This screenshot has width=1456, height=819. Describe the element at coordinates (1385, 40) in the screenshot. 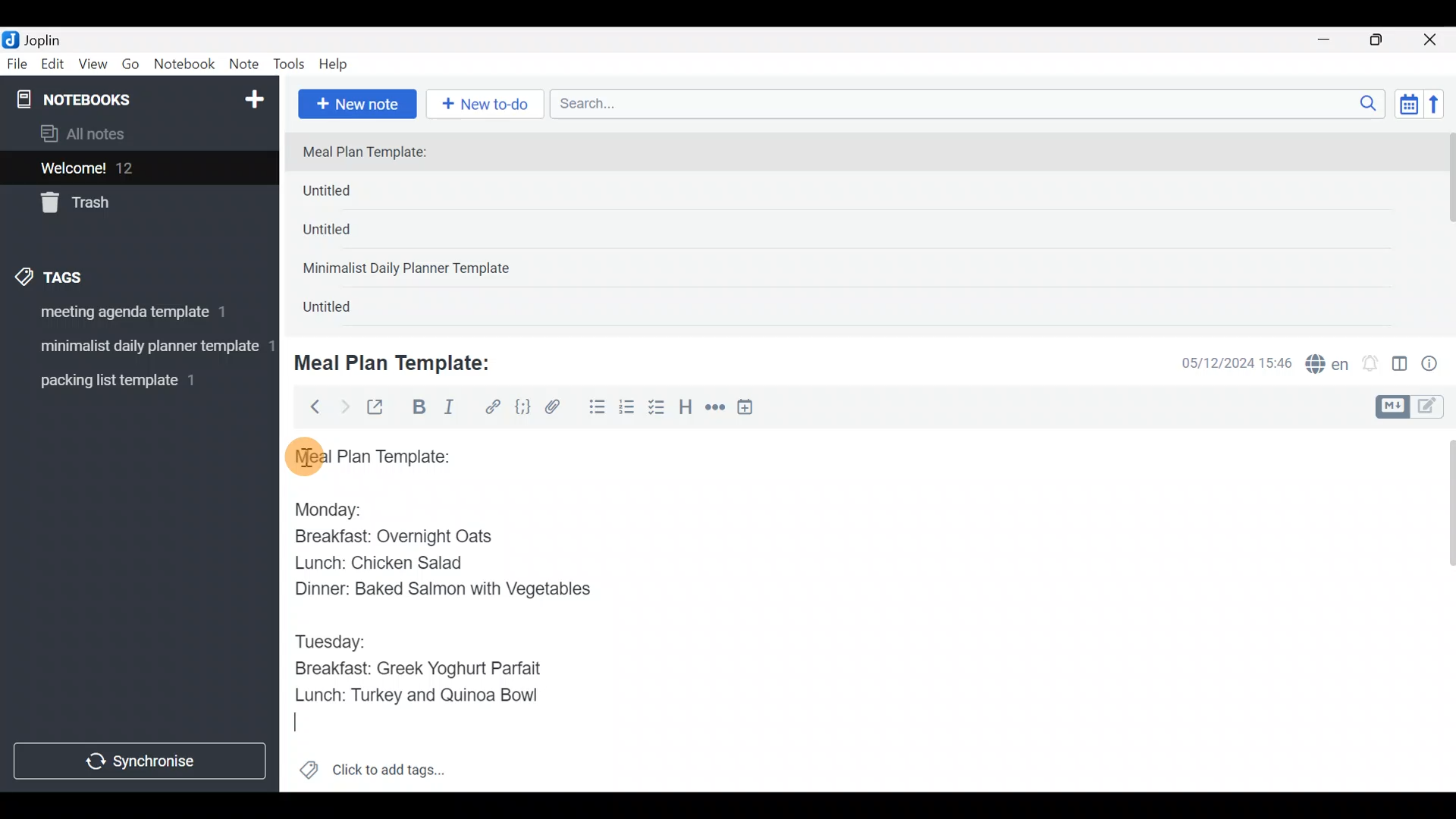

I see `Maximize` at that location.